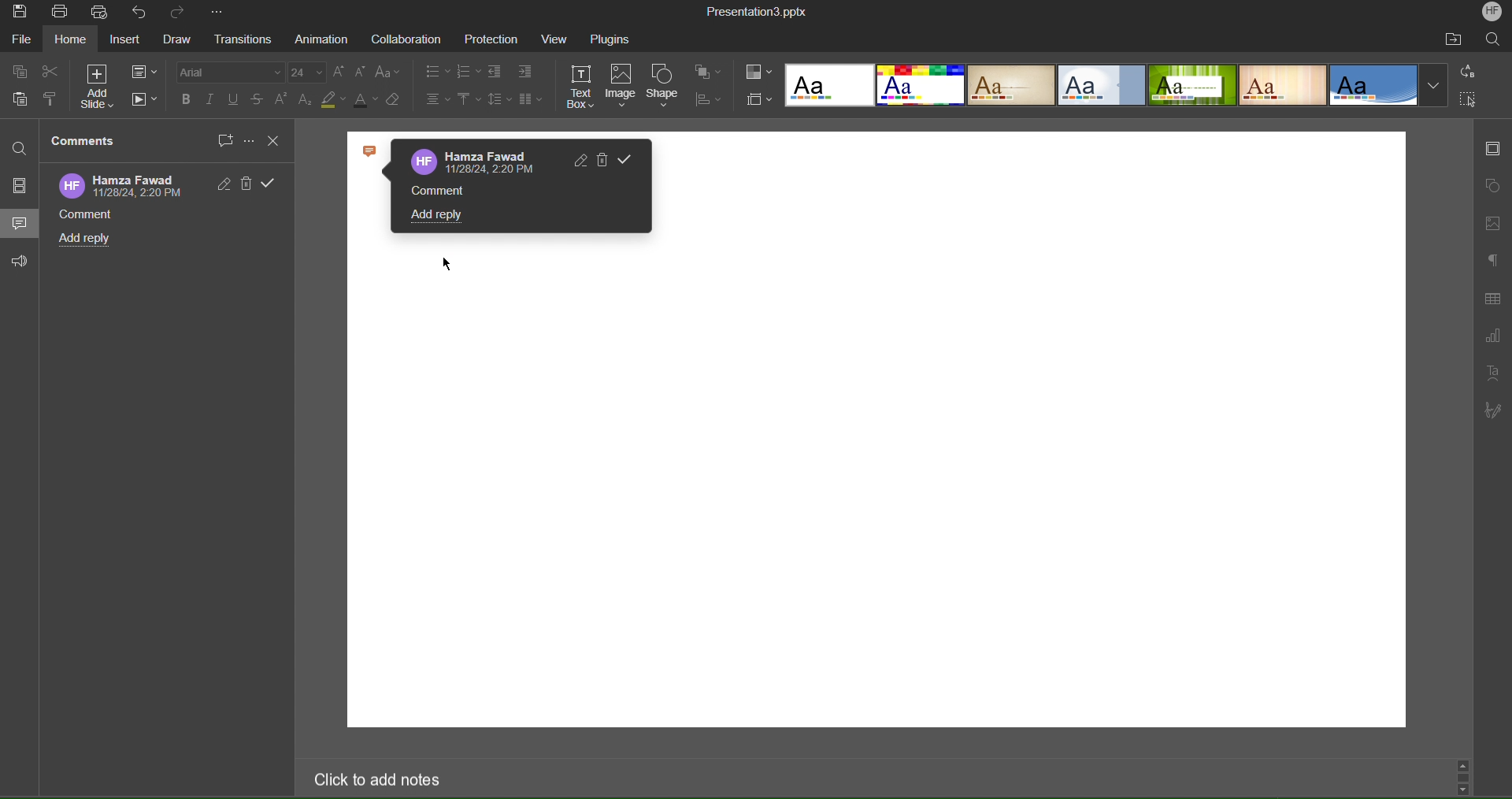  I want to click on Save Image, so click(20, 13).